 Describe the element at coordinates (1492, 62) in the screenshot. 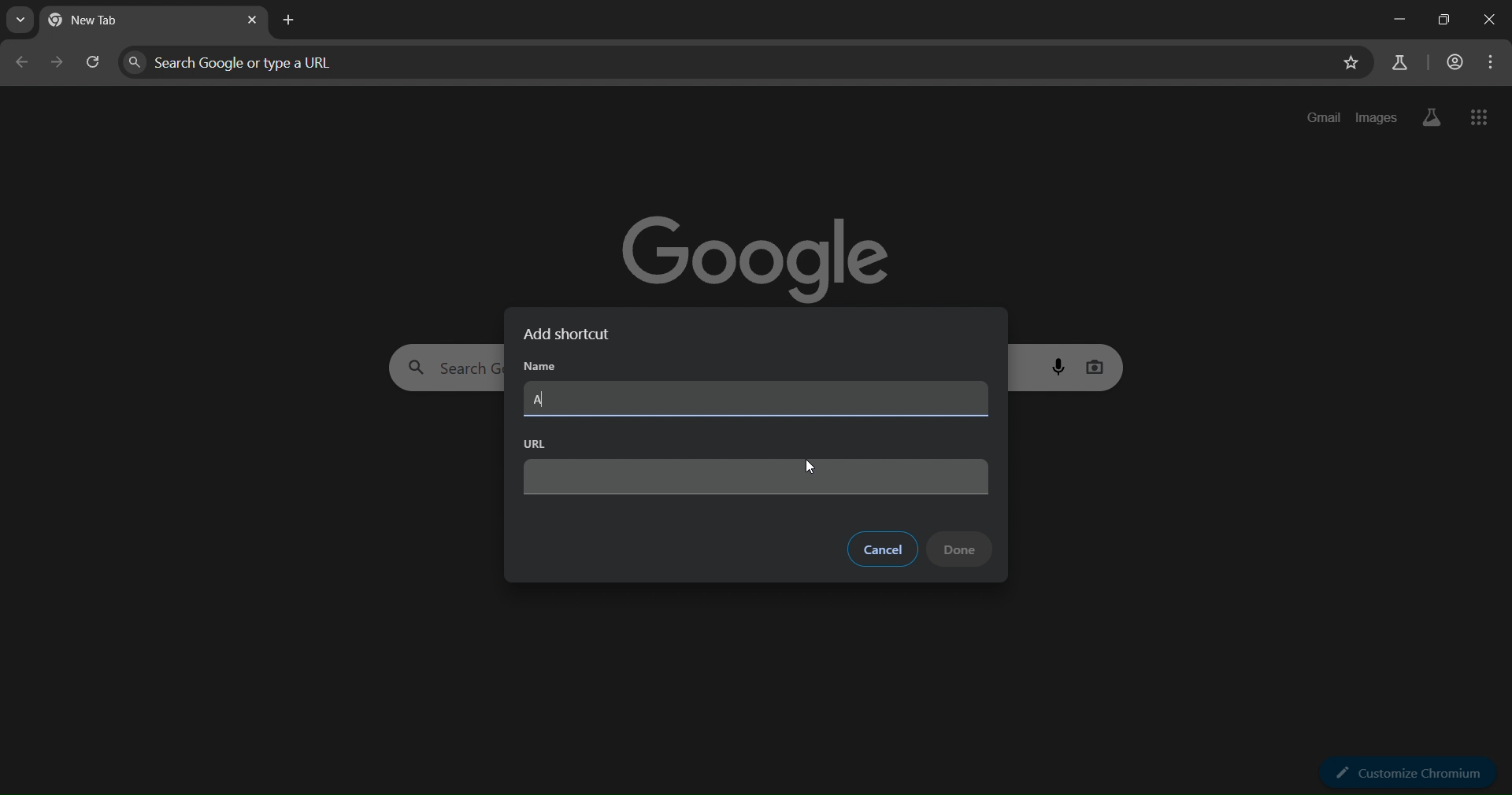

I see `menu` at that location.